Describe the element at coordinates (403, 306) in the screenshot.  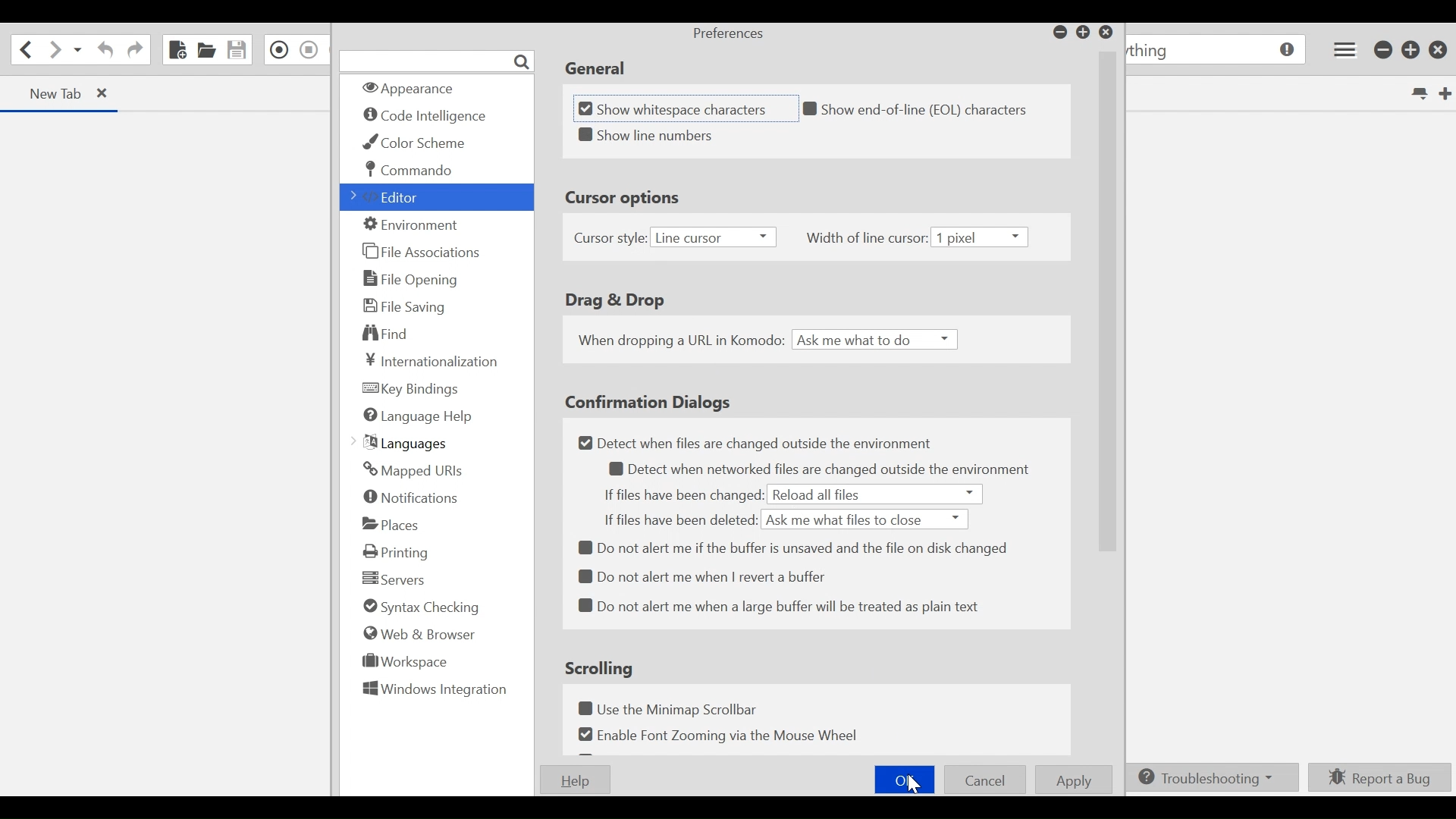
I see `File Saving` at that location.